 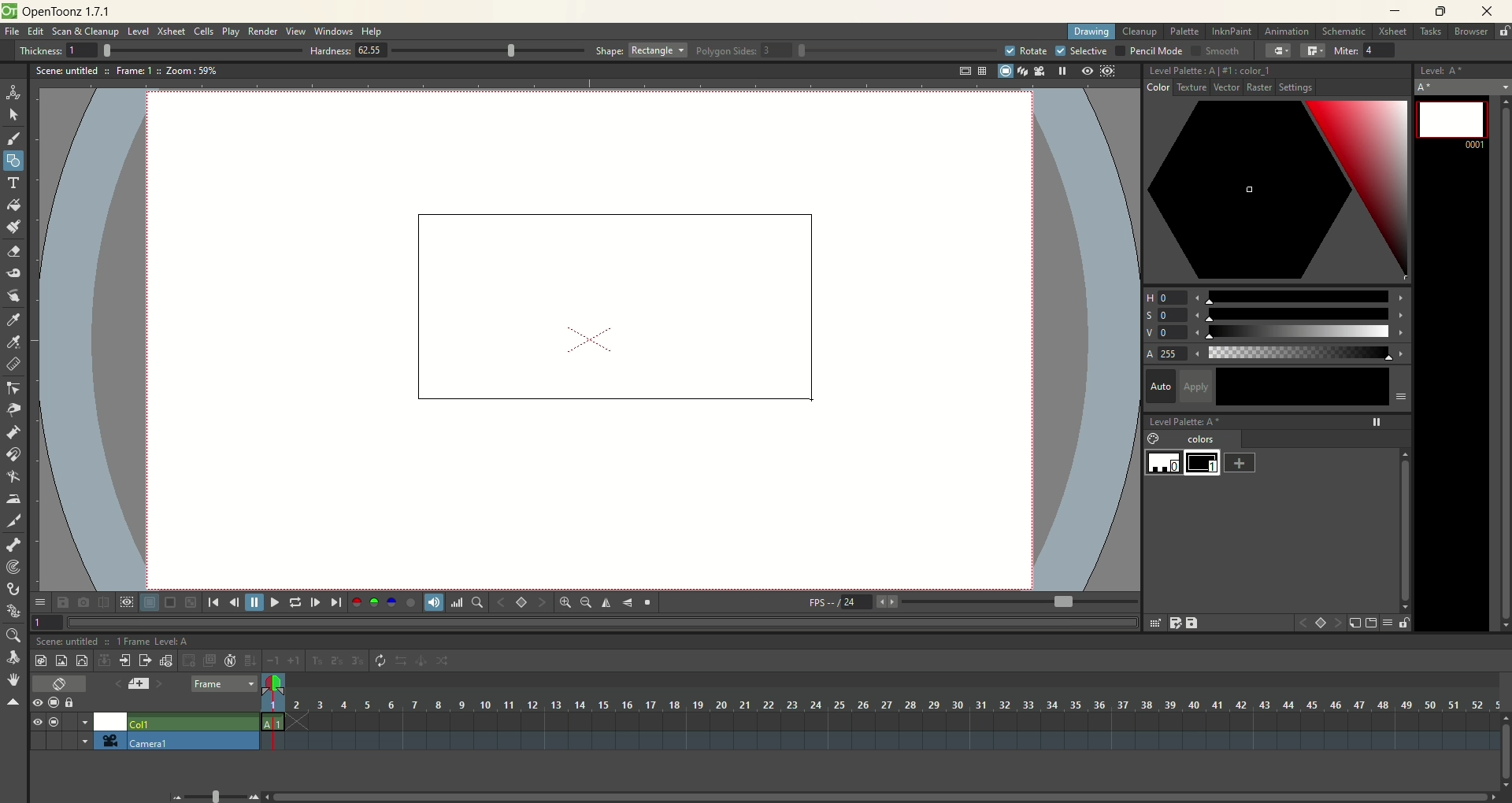 I want to click on reverse, so click(x=402, y=661).